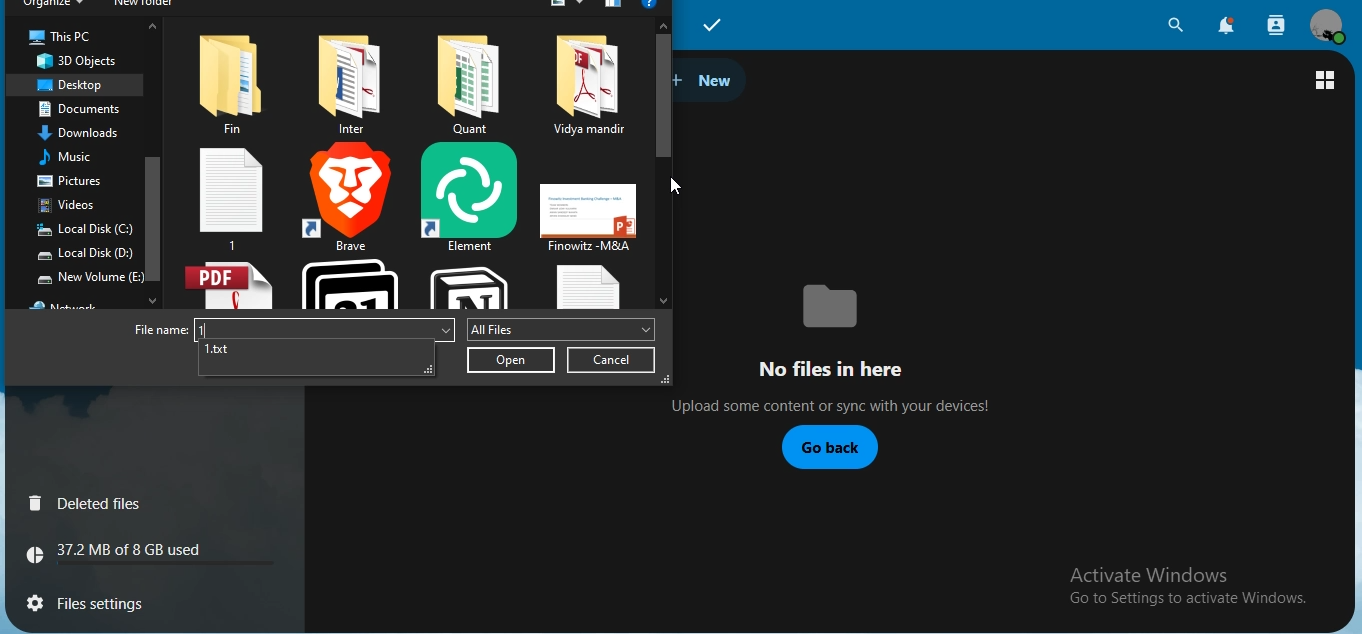 The height and width of the screenshot is (634, 1362). Describe the element at coordinates (476, 286) in the screenshot. I see `notion` at that location.